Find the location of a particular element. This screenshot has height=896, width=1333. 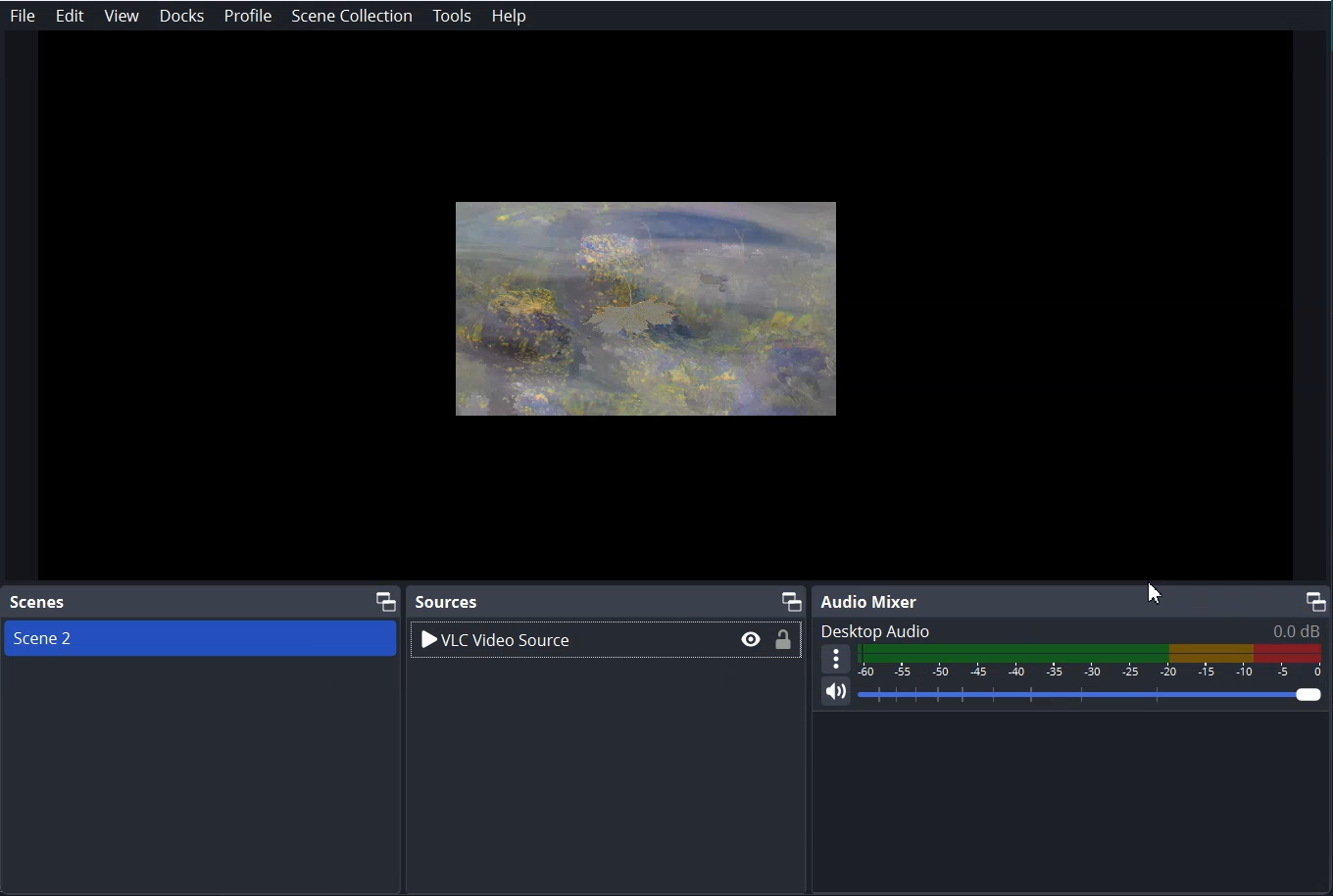

Docks is located at coordinates (181, 16).